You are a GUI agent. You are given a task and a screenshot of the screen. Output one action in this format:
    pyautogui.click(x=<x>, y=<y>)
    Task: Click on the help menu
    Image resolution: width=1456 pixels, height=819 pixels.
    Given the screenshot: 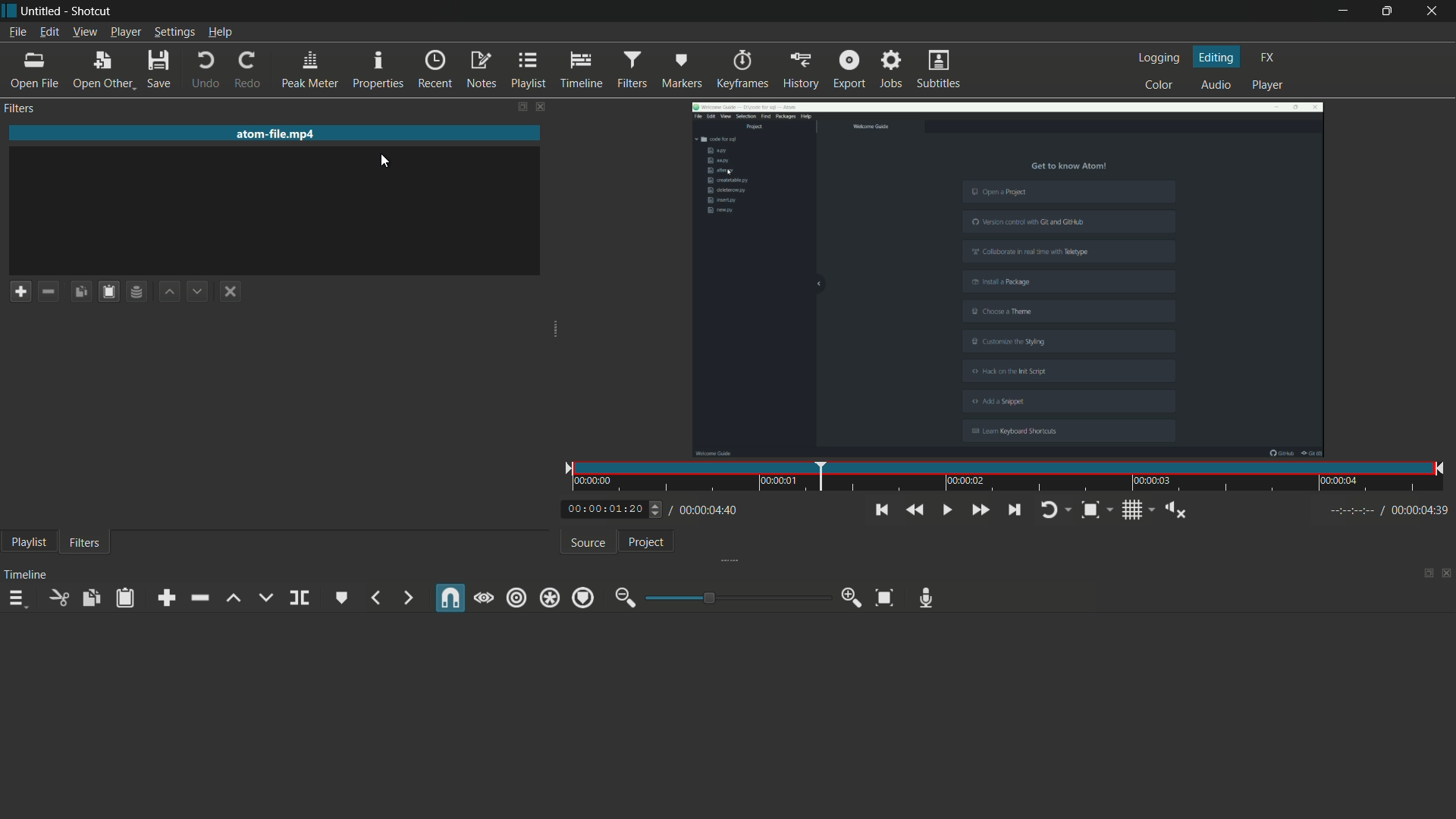 What is the action you would take?
    pyautogui.click(x=221, y=33)
    